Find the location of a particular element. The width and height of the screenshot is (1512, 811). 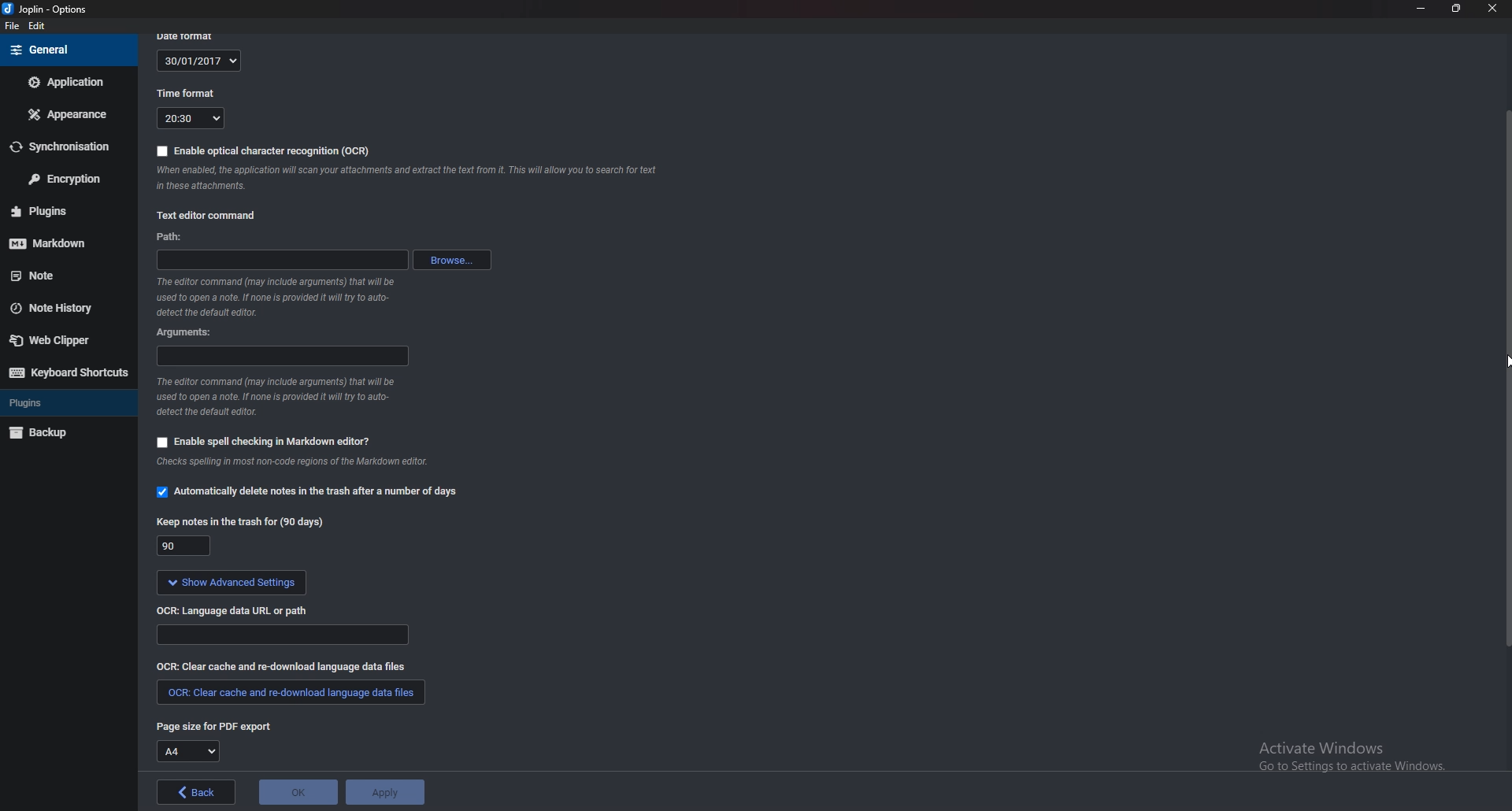

show advanced settings is located at coordinates (230, 584).